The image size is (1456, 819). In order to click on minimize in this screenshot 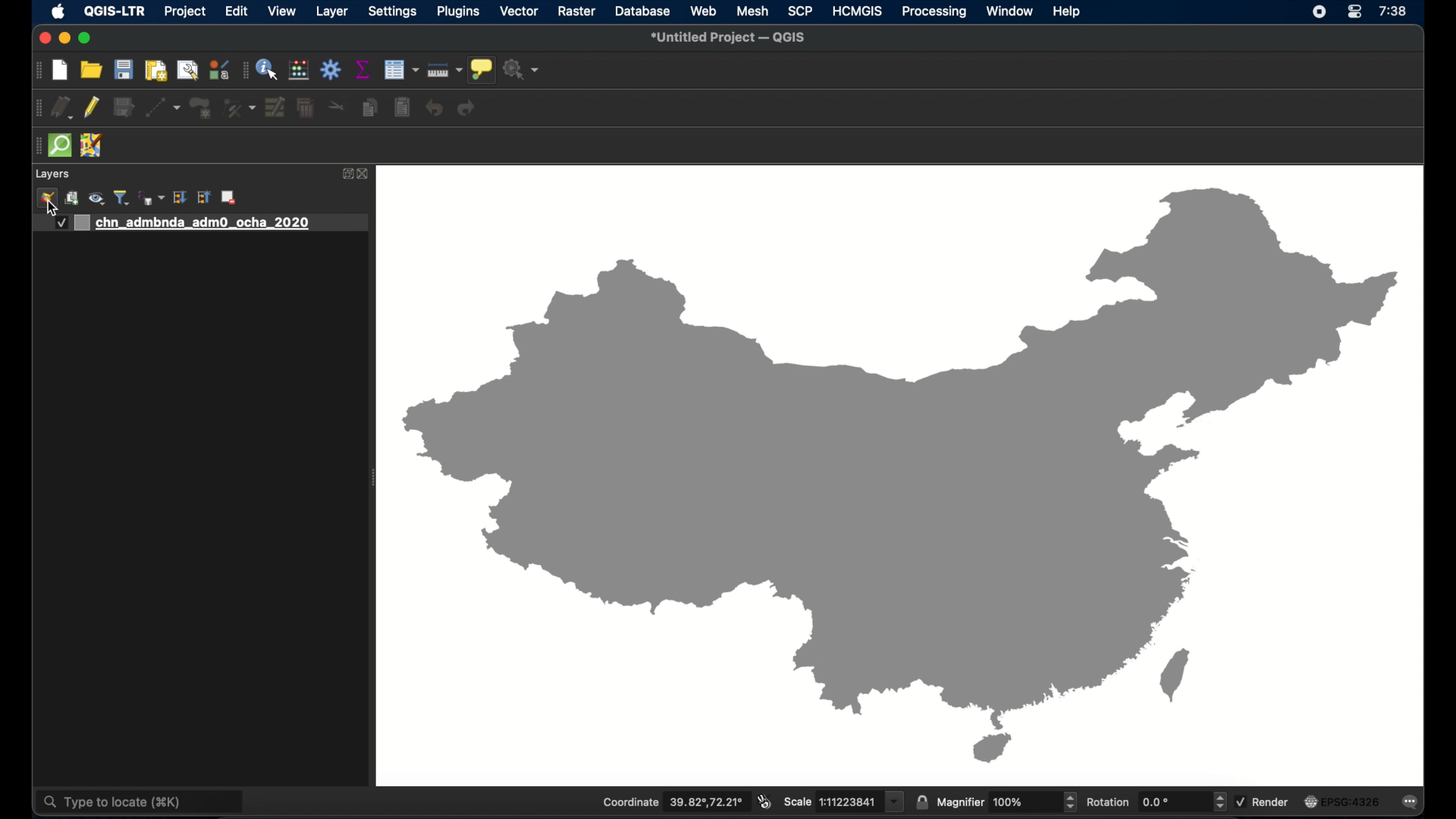, I will do `click(65, 39)`.